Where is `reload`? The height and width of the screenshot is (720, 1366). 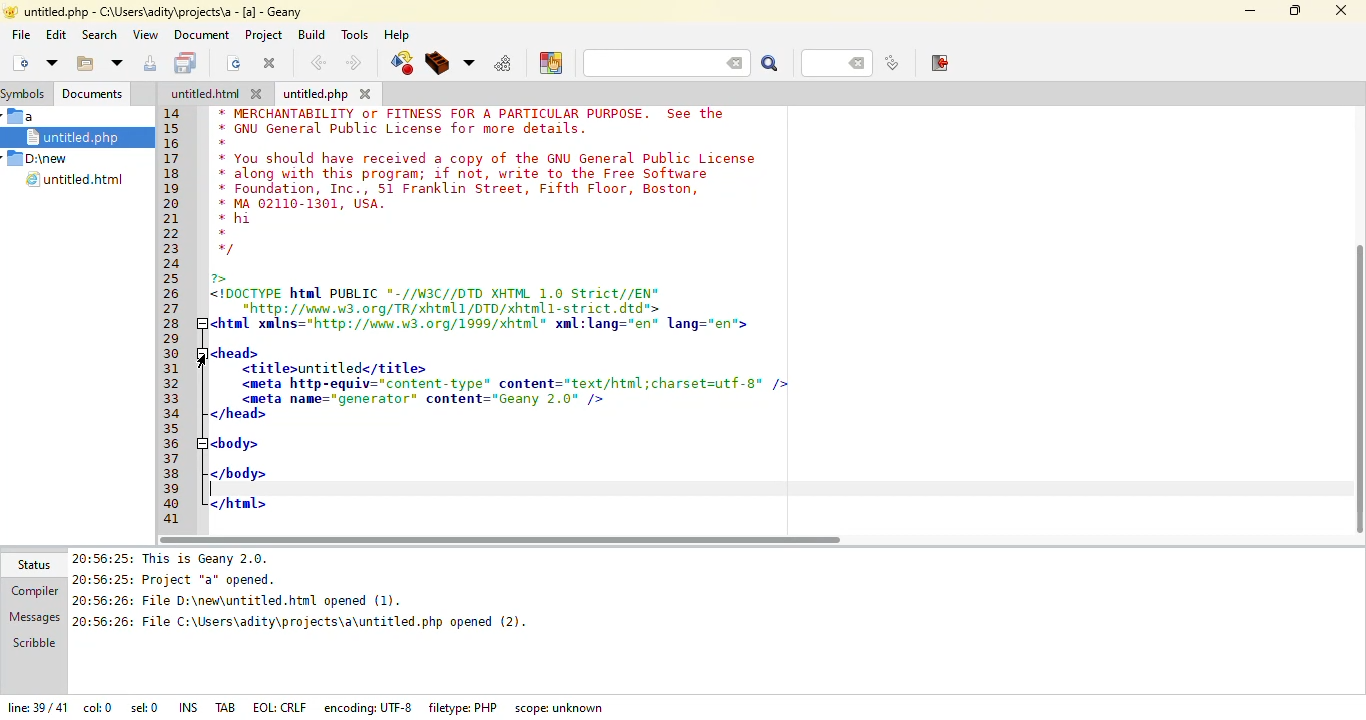
reload is located at coordinates (234, 63).